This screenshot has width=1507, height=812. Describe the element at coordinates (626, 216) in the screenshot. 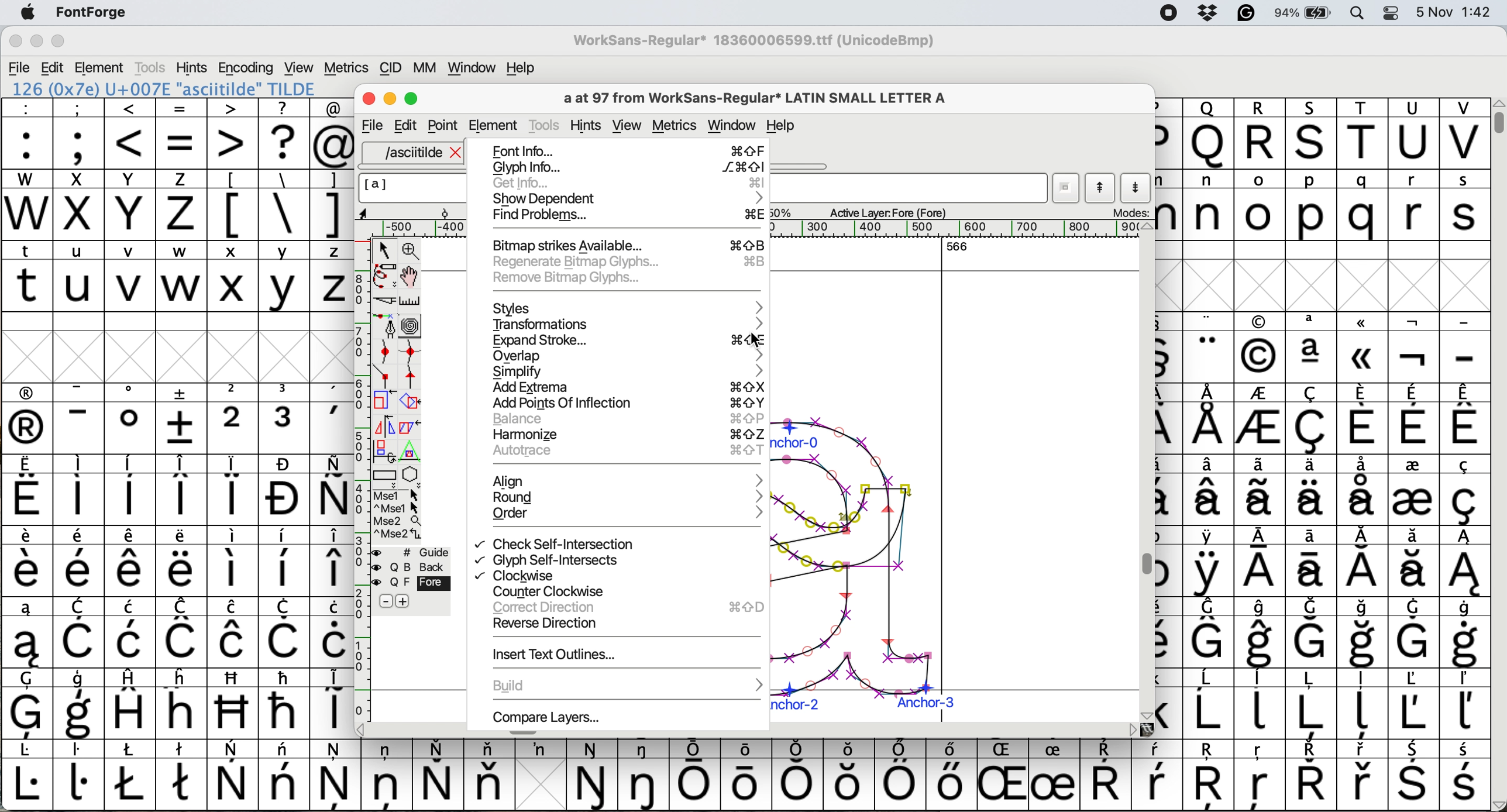

I see `find problems` at that location.